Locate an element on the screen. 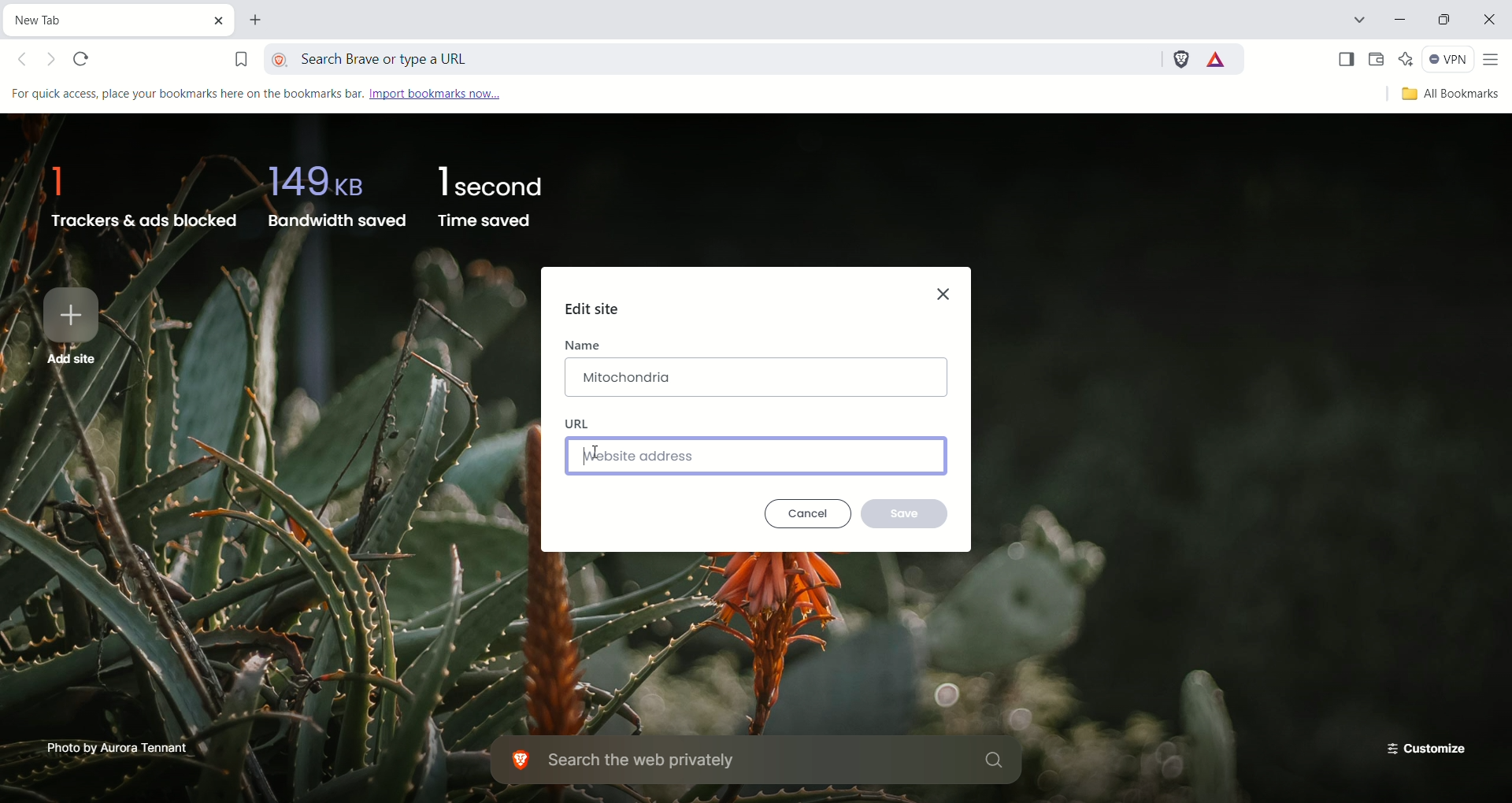 This screenshot has width=1512, height=803. Photo by Aurora Tennant is located at coordinates (119, 746).